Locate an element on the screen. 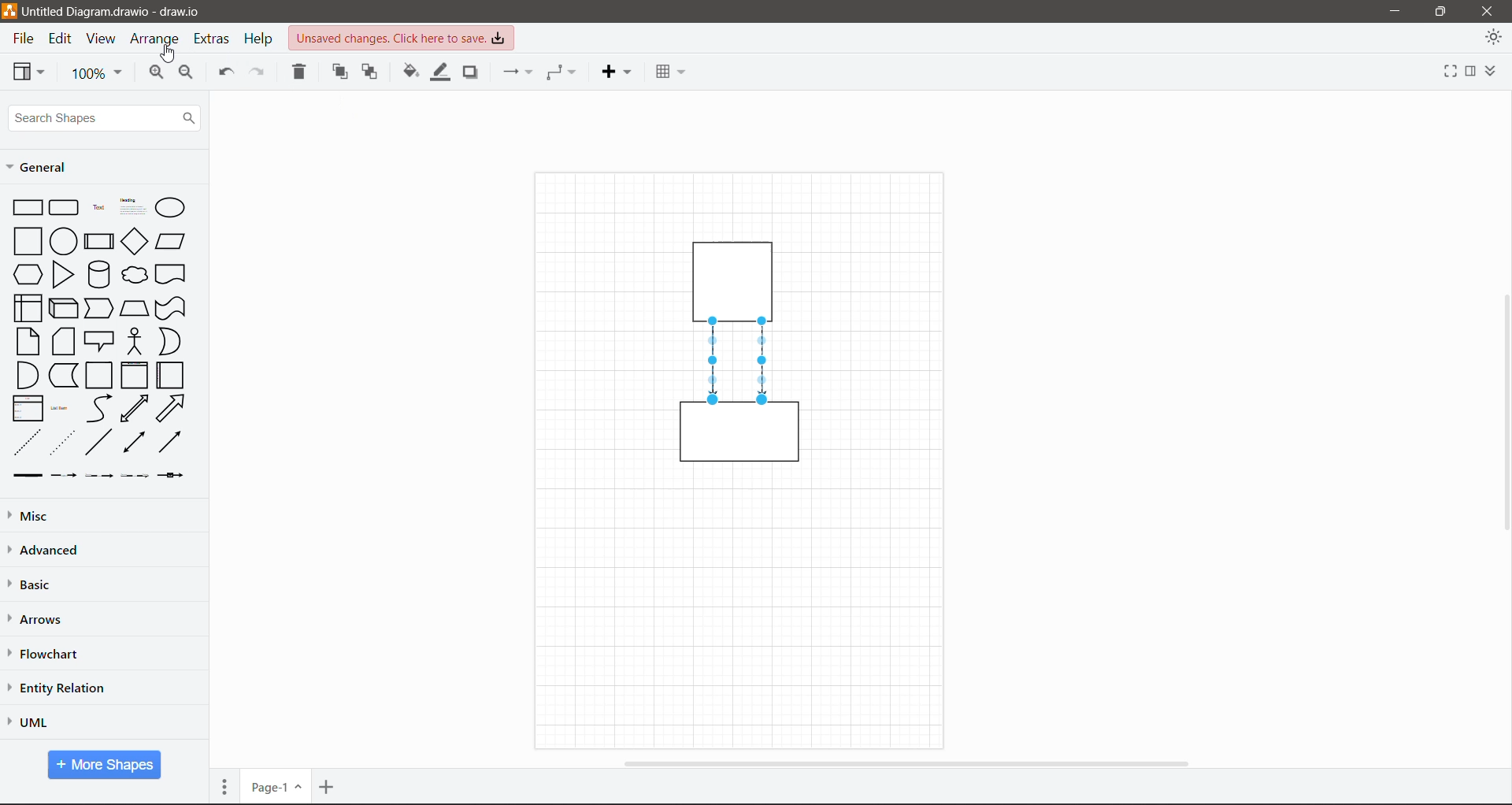 The height and width of the screenshot is (805, 1512). Actor is located at coordinates (134, 340).